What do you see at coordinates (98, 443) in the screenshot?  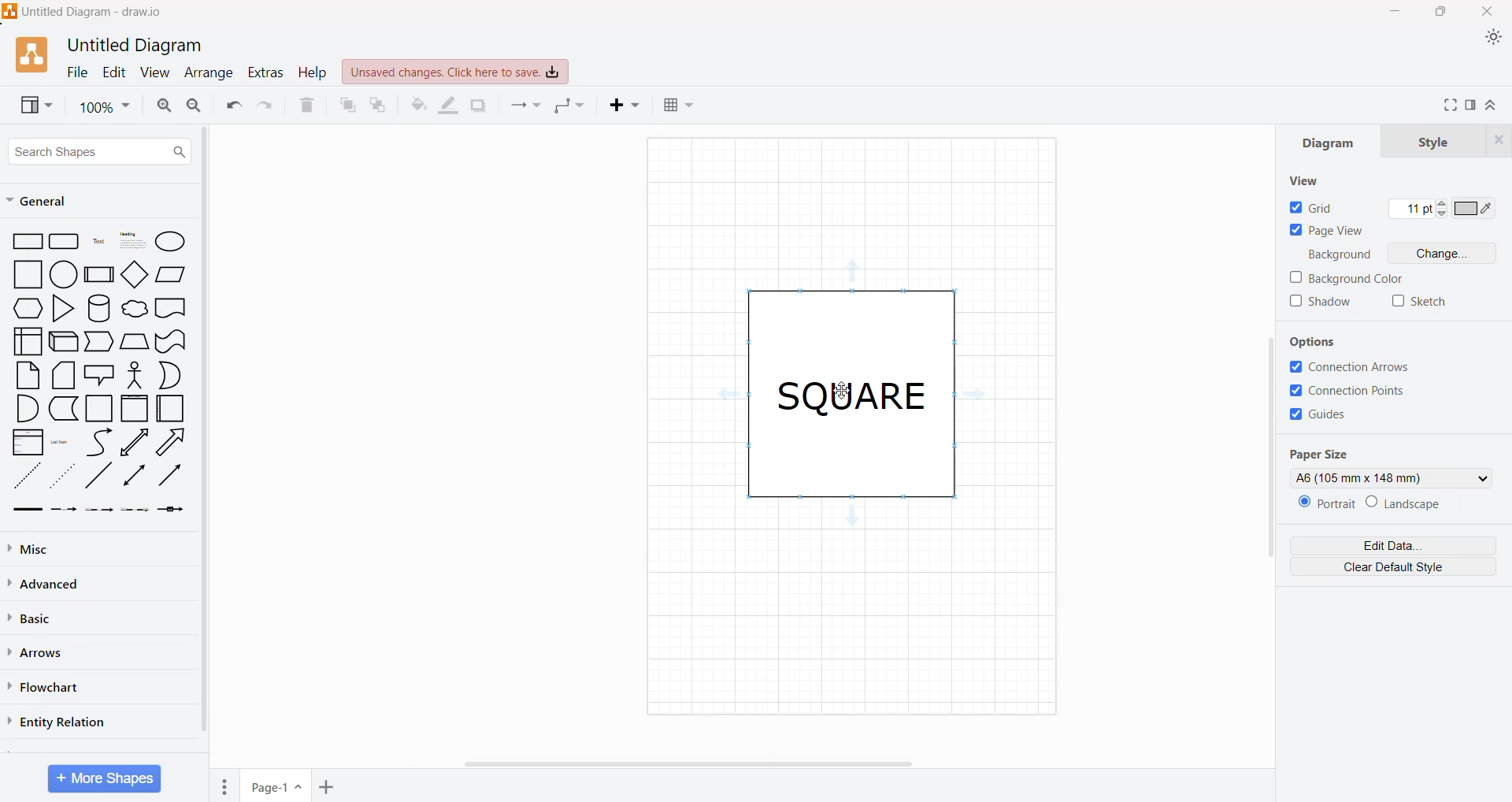 I see `Curved Line` at bounding box center [98, 443].